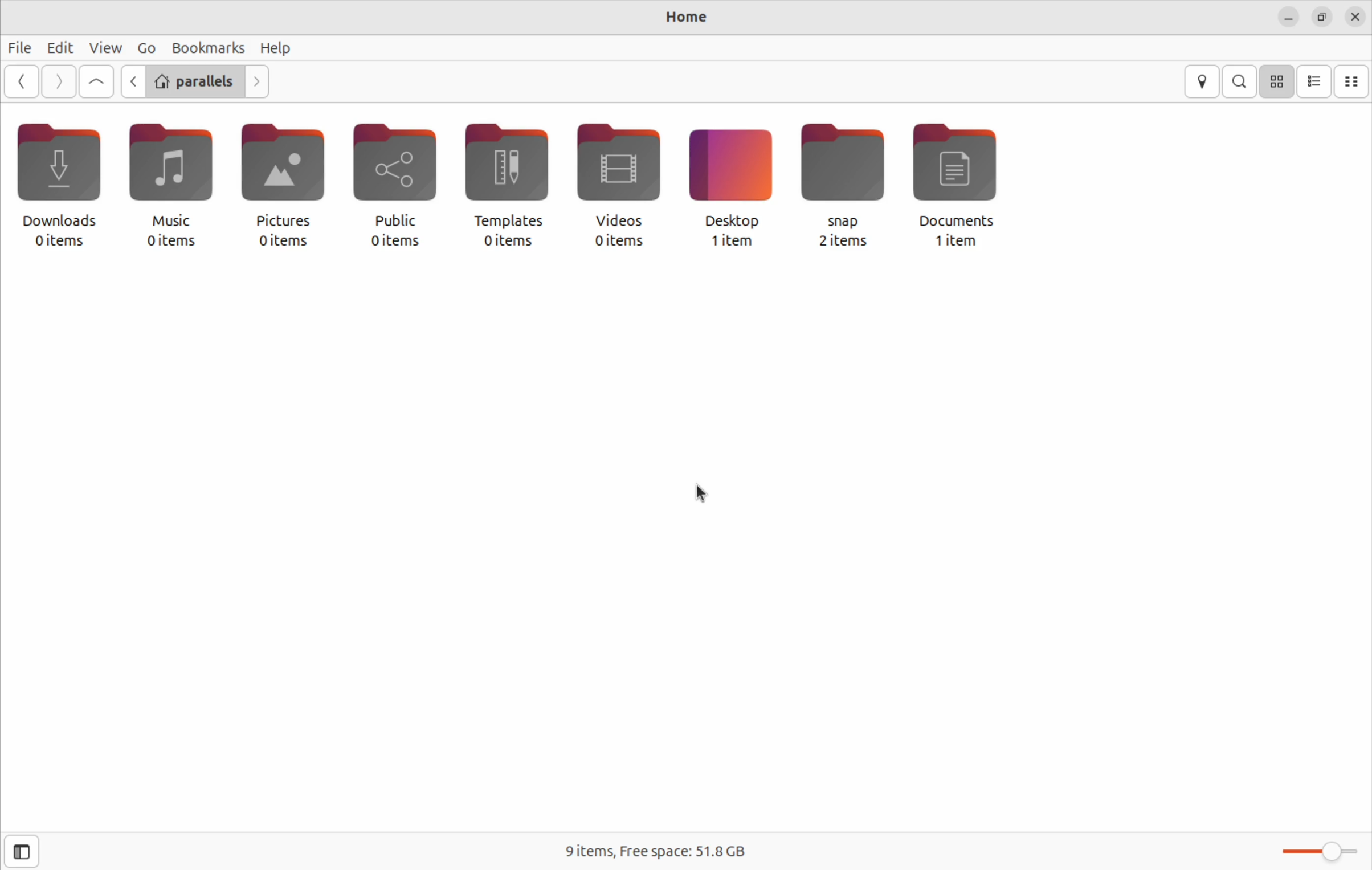  What do you see at coordinates (283, 240) in the screenshot?
I see `0 items` at bounding box center [283, 240].